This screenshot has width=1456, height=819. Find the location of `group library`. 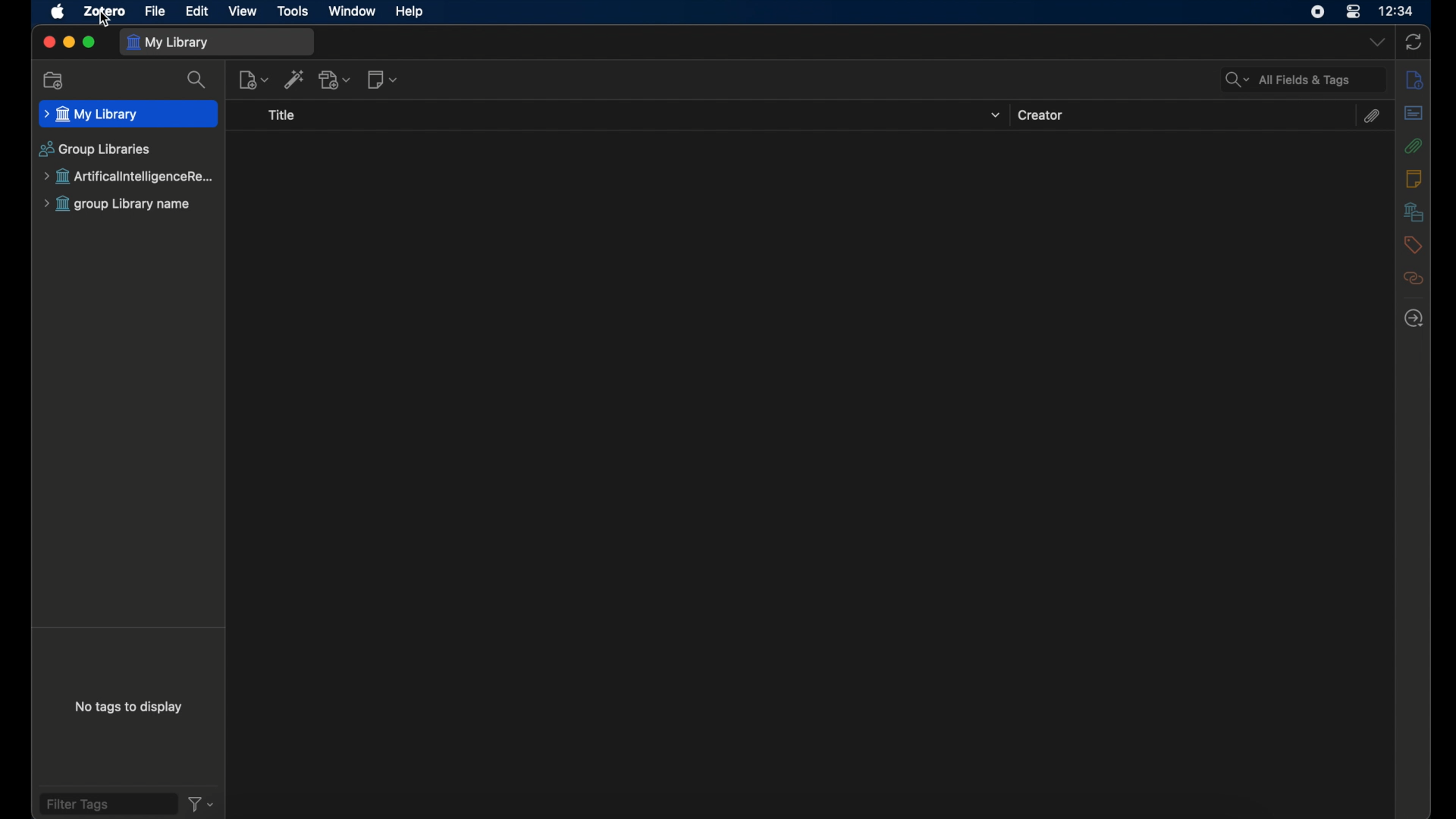

group library is located at coordinates (118, 205).